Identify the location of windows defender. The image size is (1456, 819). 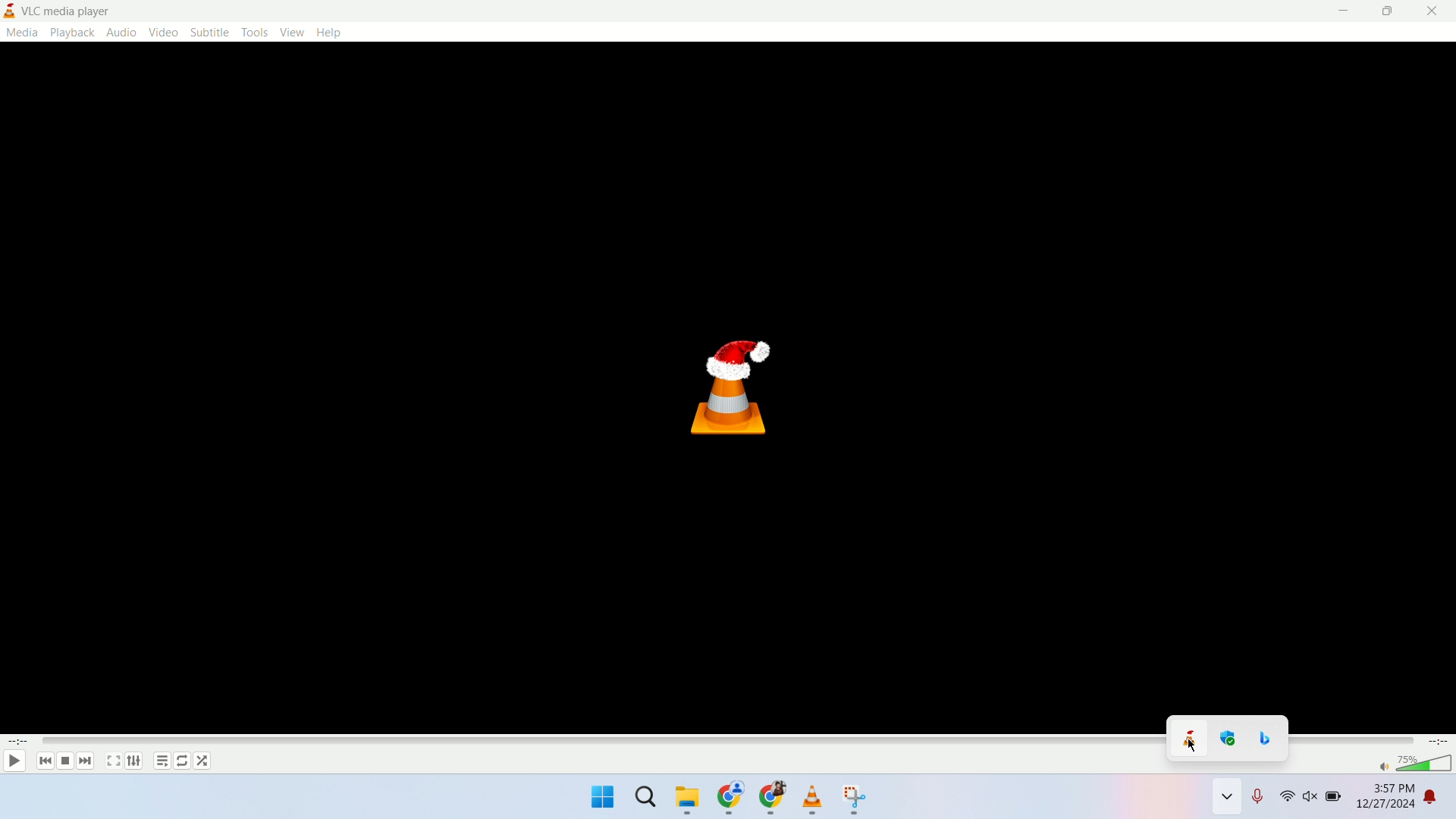
(1230, 738).